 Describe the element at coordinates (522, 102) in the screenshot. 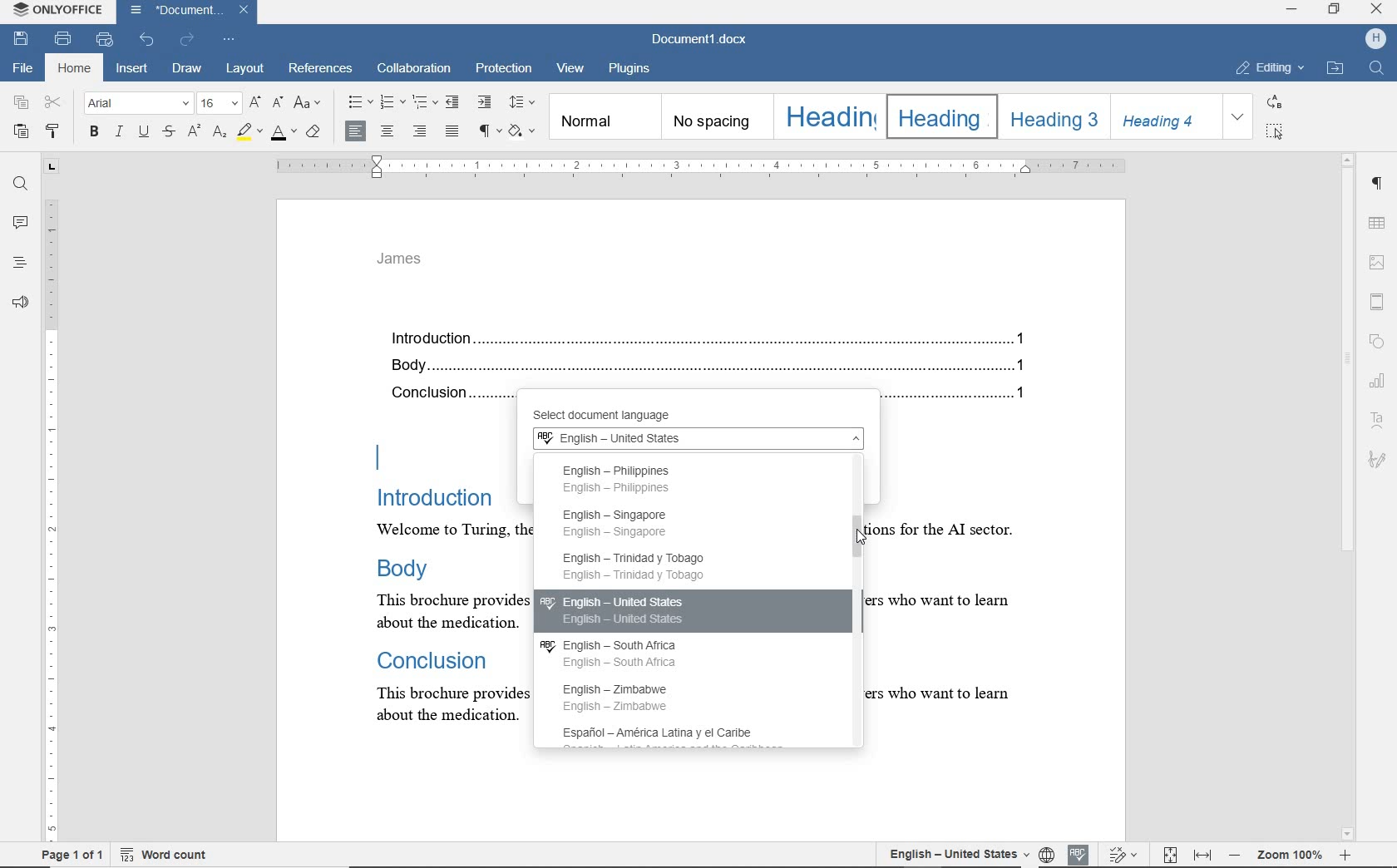

I see `paragraph line spacing` at that location.